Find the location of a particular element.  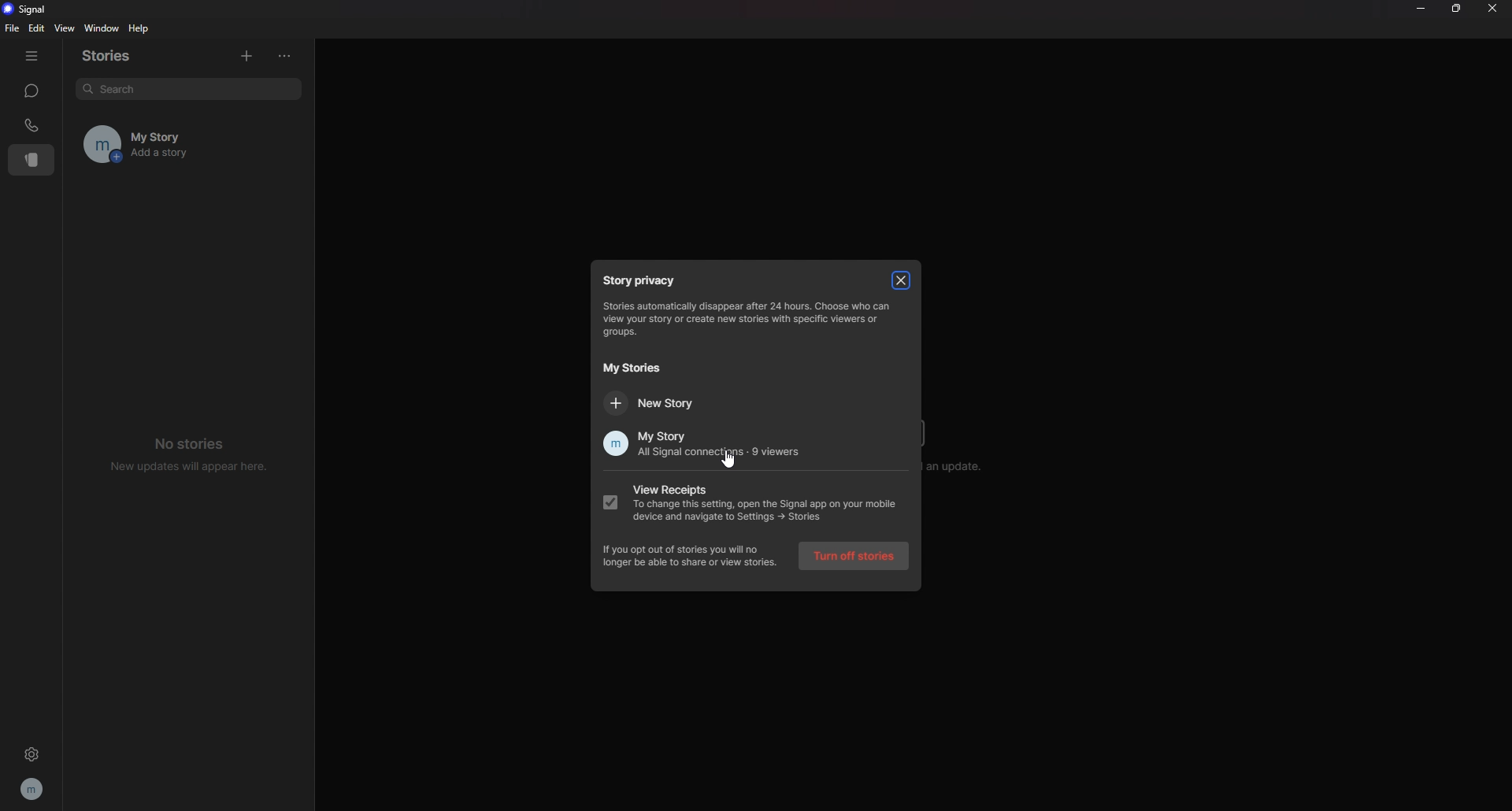

options is located at coordinates (289, 56).